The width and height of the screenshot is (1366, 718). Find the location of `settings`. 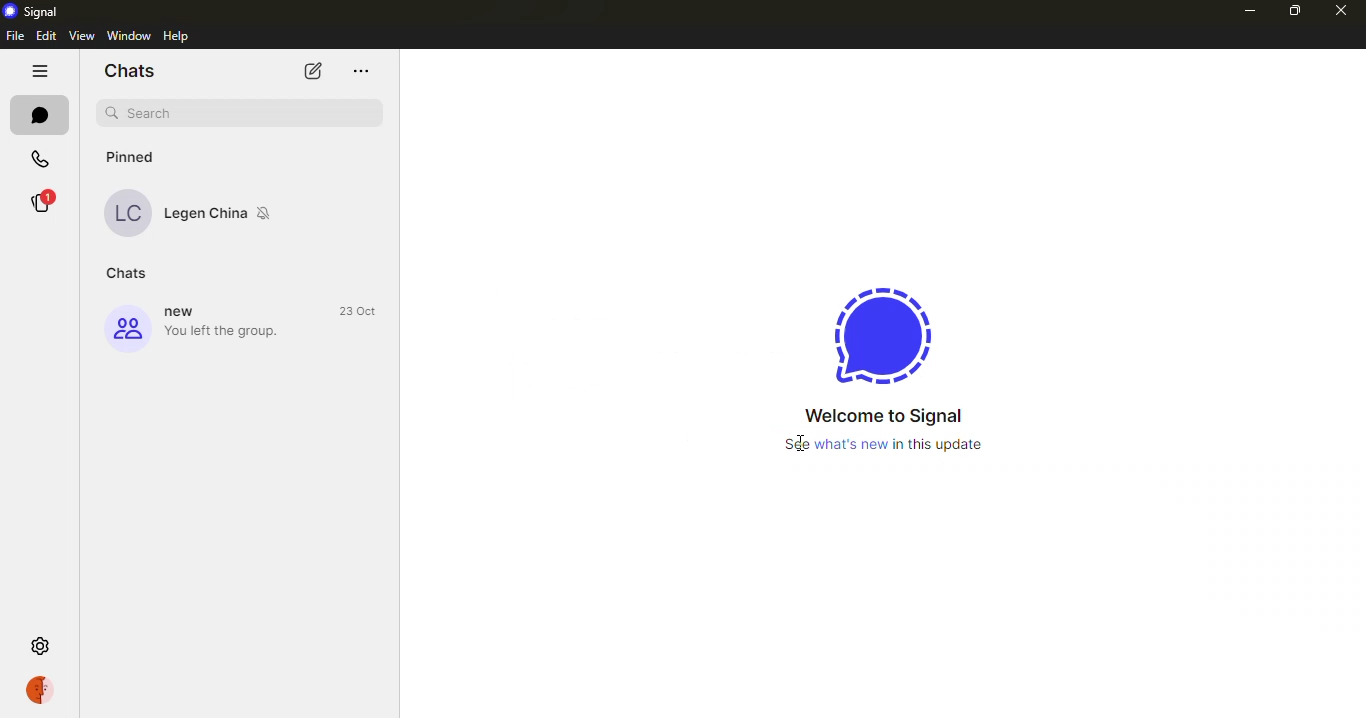

settings is located at coordinates (40, 643).